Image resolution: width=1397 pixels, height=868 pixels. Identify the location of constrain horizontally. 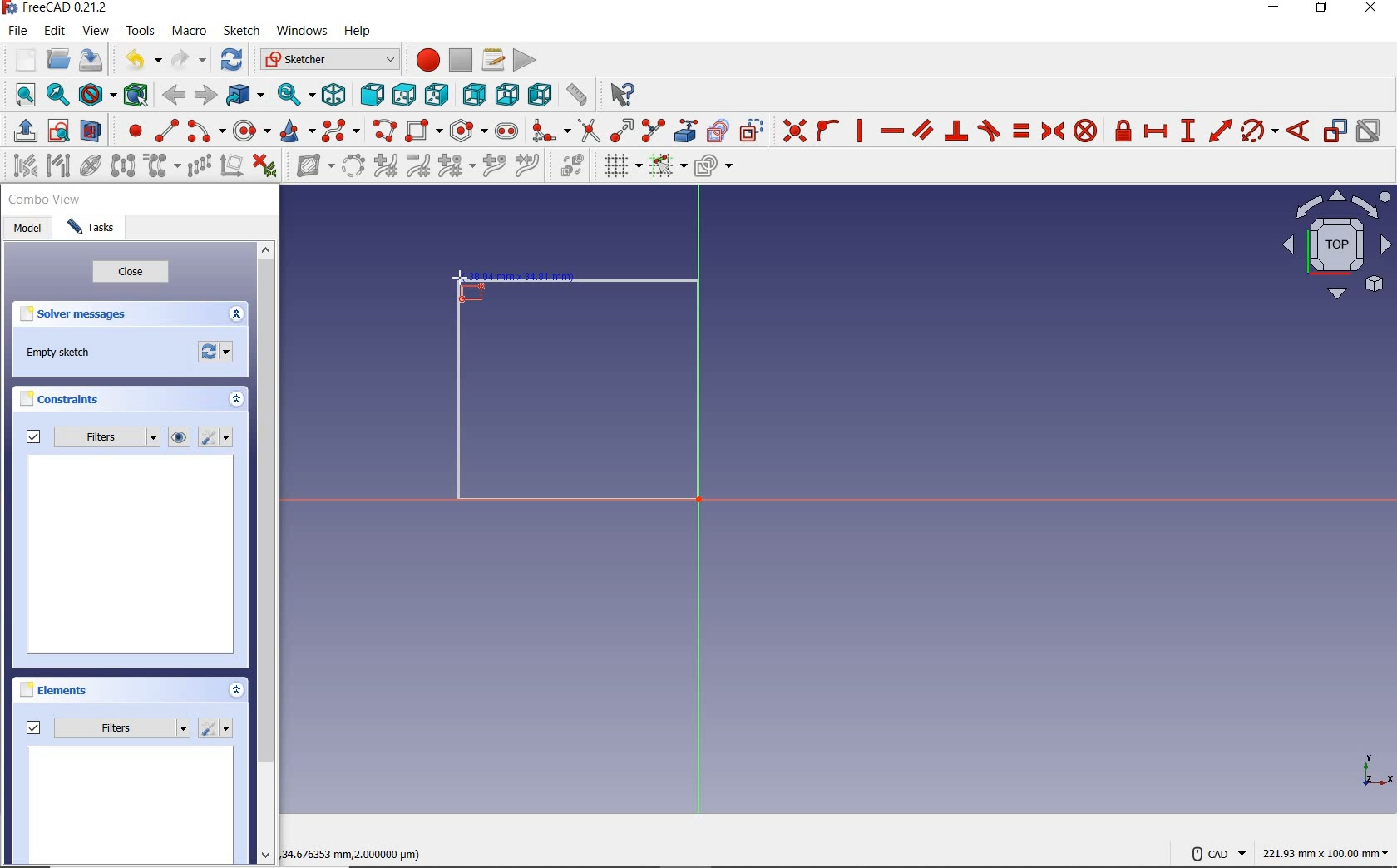
(891, 131).